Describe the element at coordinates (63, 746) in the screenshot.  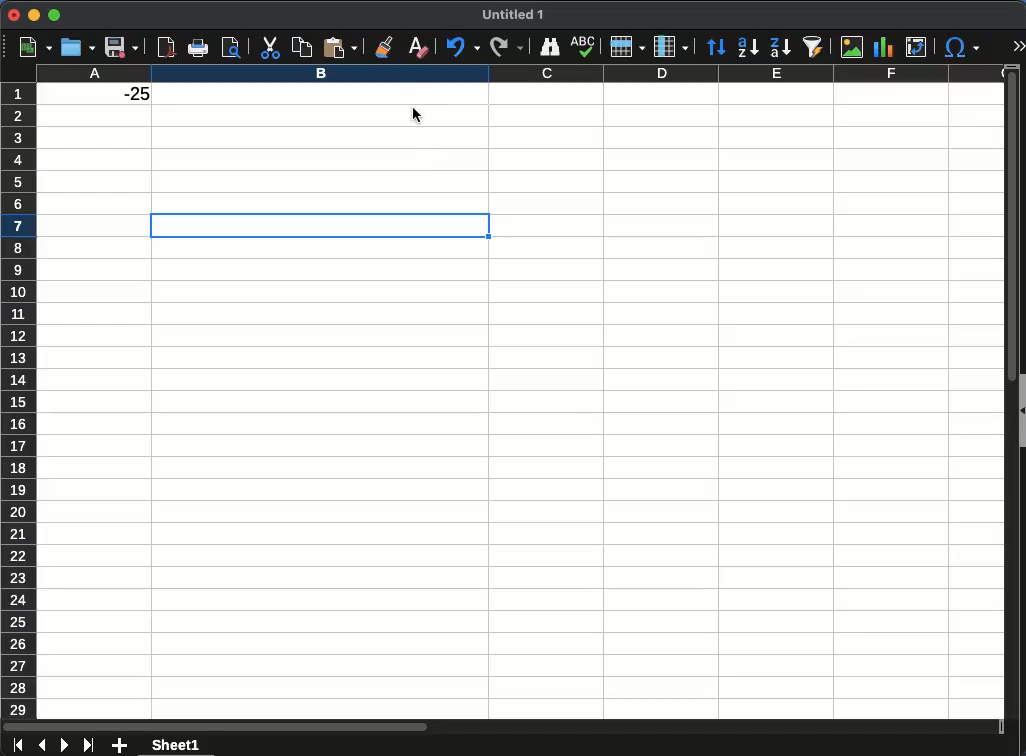
I see `next sheet` at that location.